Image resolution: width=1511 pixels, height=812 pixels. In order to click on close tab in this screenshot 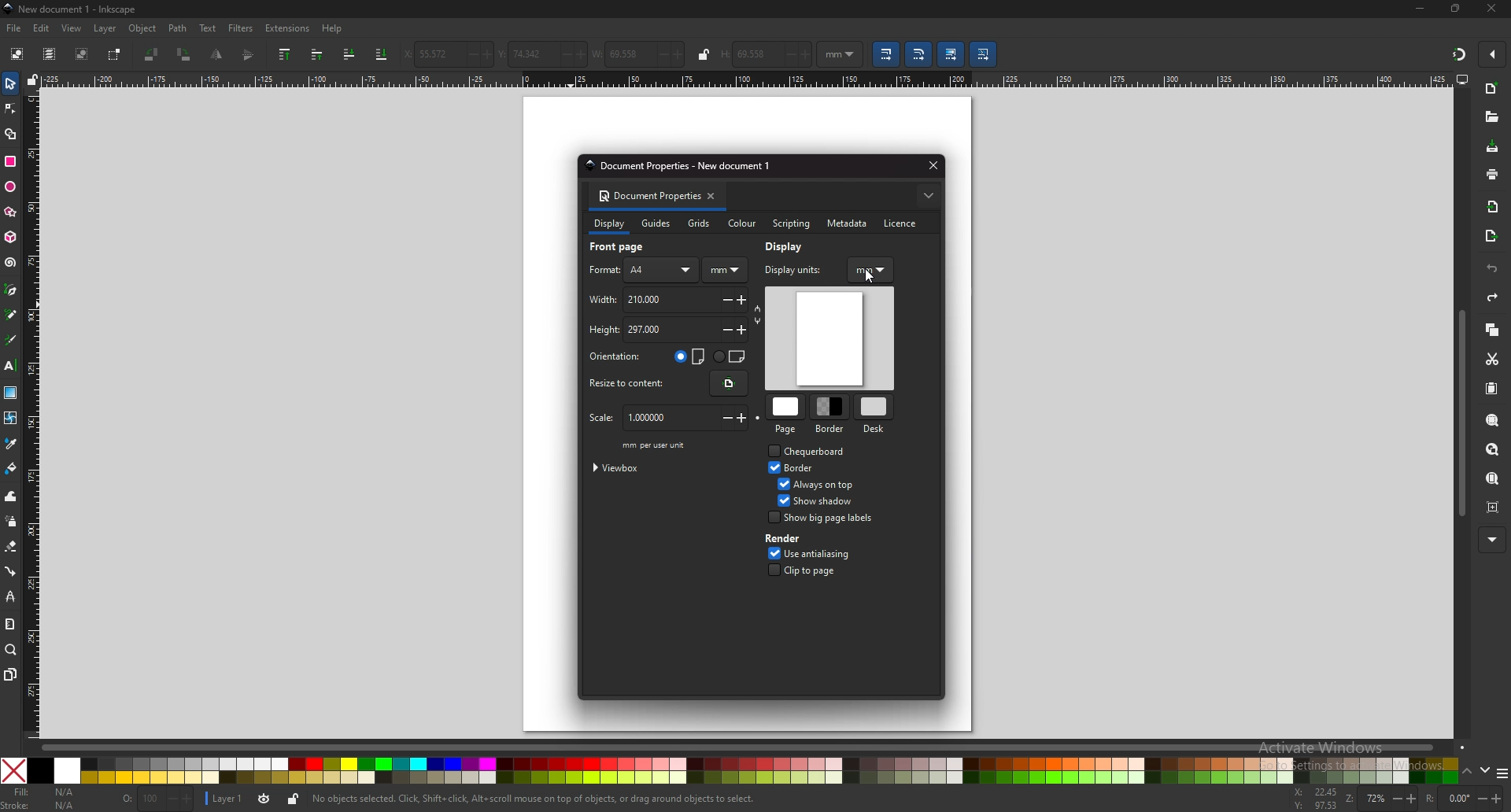, I will do `click(715, 196)`.